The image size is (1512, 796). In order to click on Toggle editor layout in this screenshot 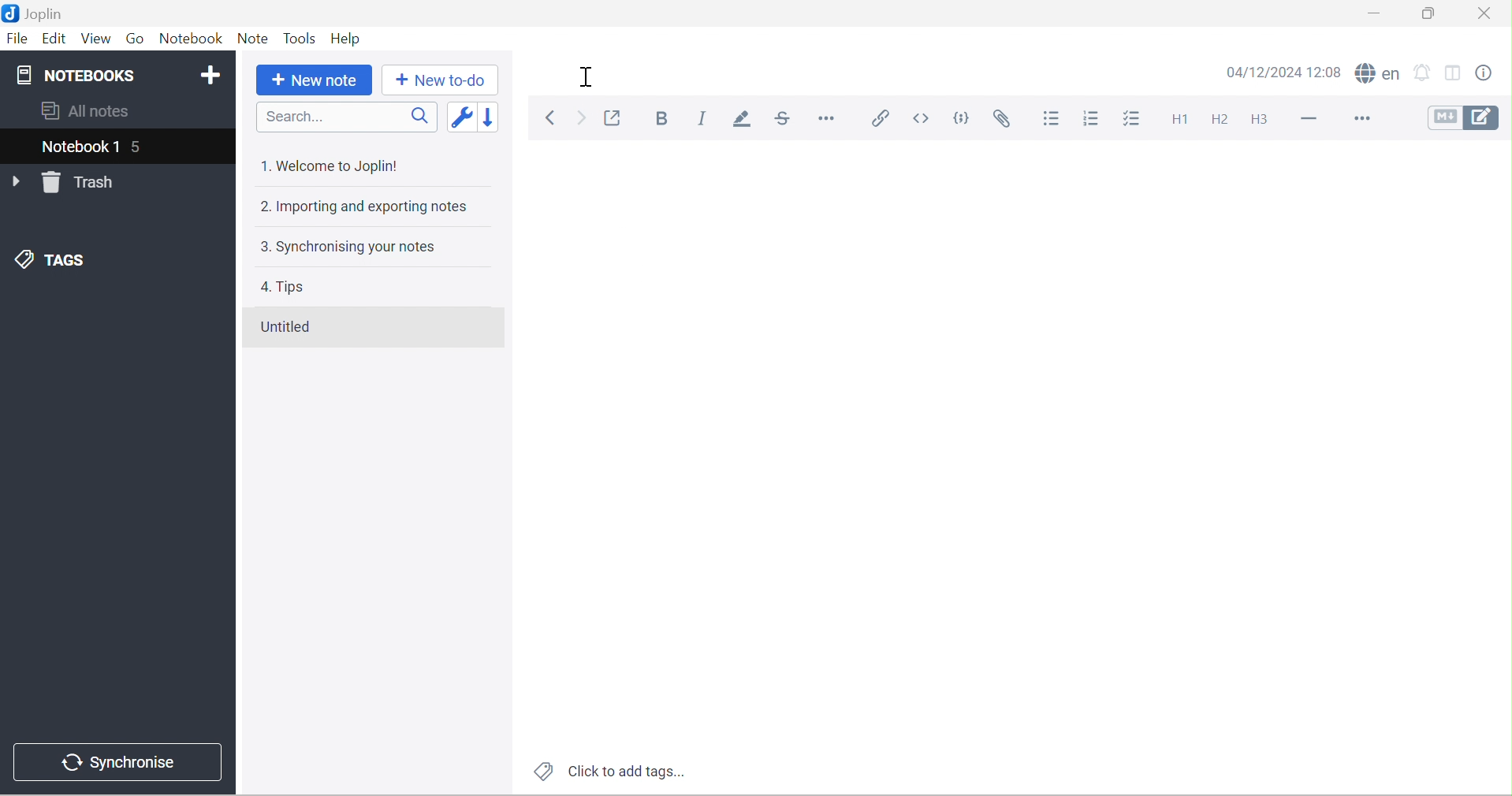, I will do `click(1456, 71)`.